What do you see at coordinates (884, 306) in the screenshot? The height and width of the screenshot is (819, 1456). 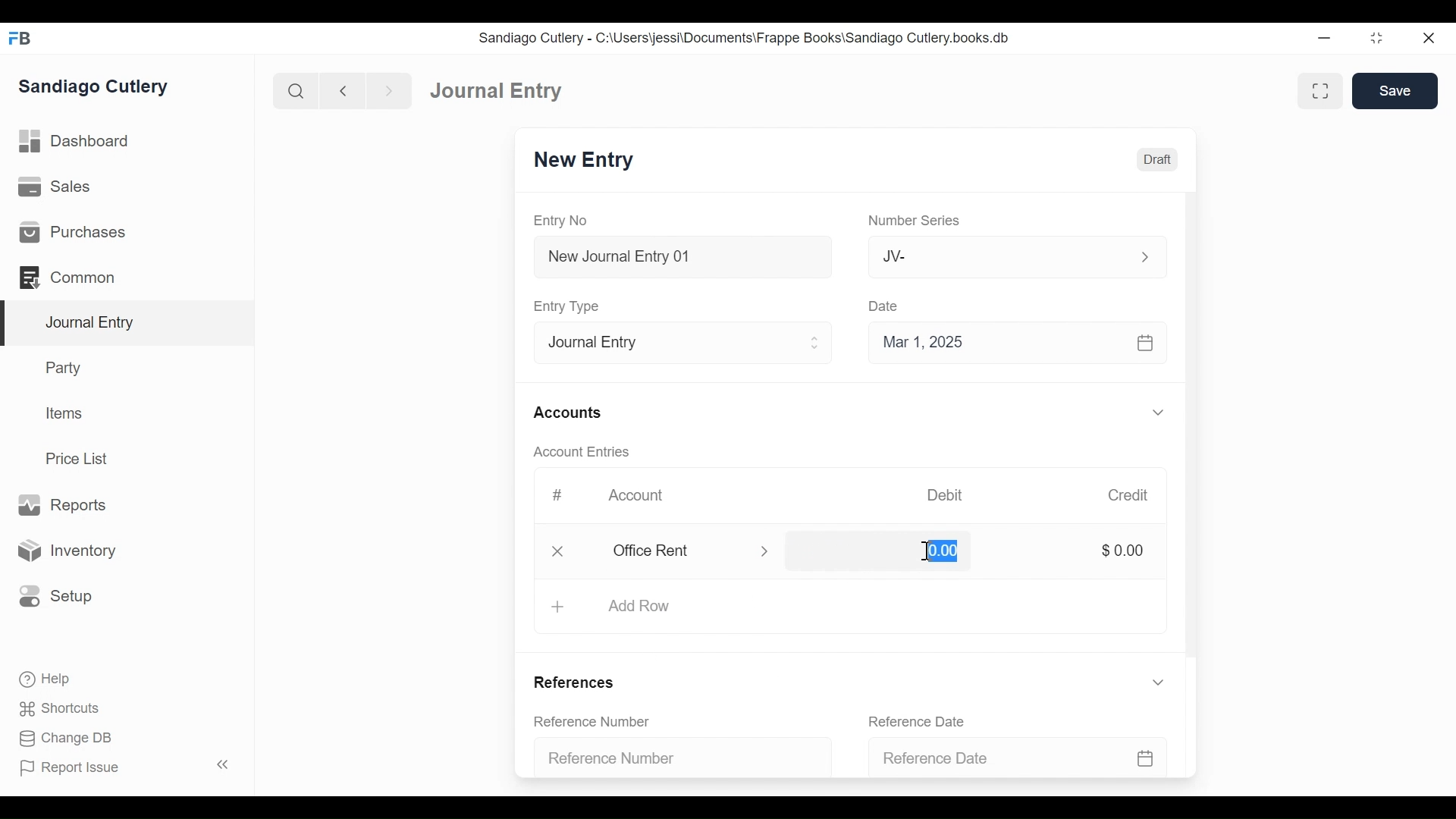 I see `Date` at bounding box center [884, 306].